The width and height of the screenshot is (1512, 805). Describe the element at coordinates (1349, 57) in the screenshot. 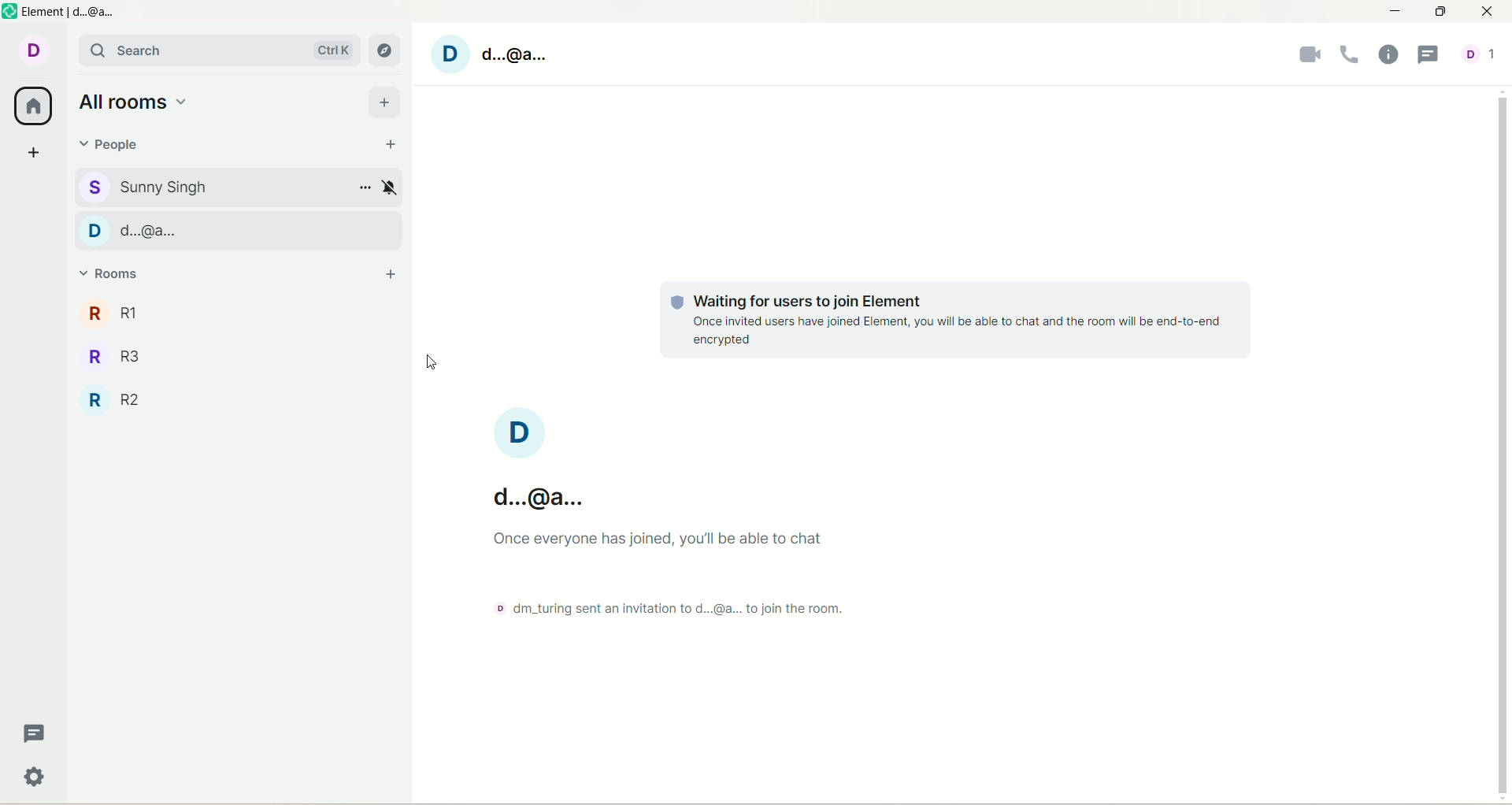

I see `voice call` at that location.